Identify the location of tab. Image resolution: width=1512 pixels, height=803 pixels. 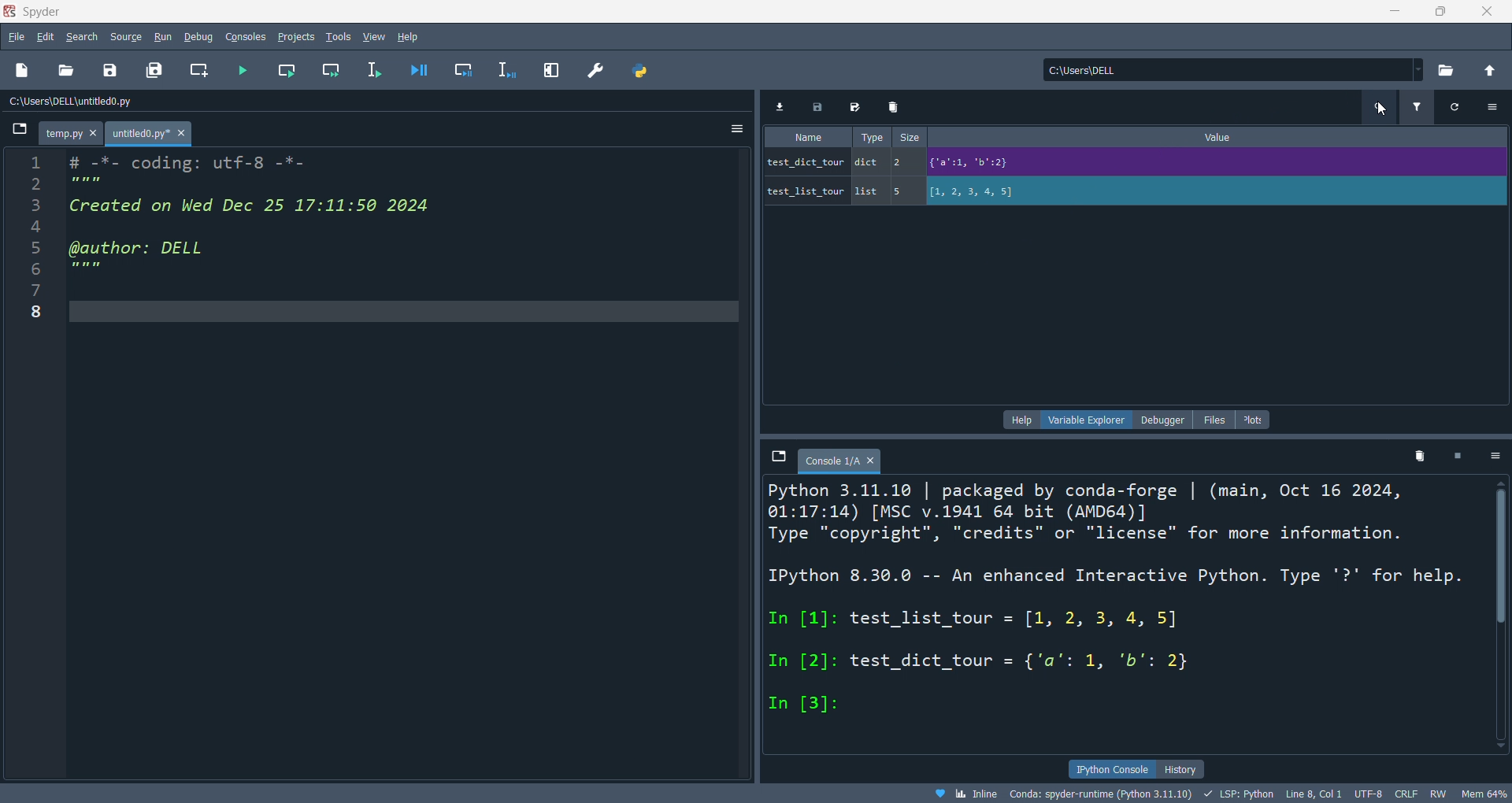
(66, 133).